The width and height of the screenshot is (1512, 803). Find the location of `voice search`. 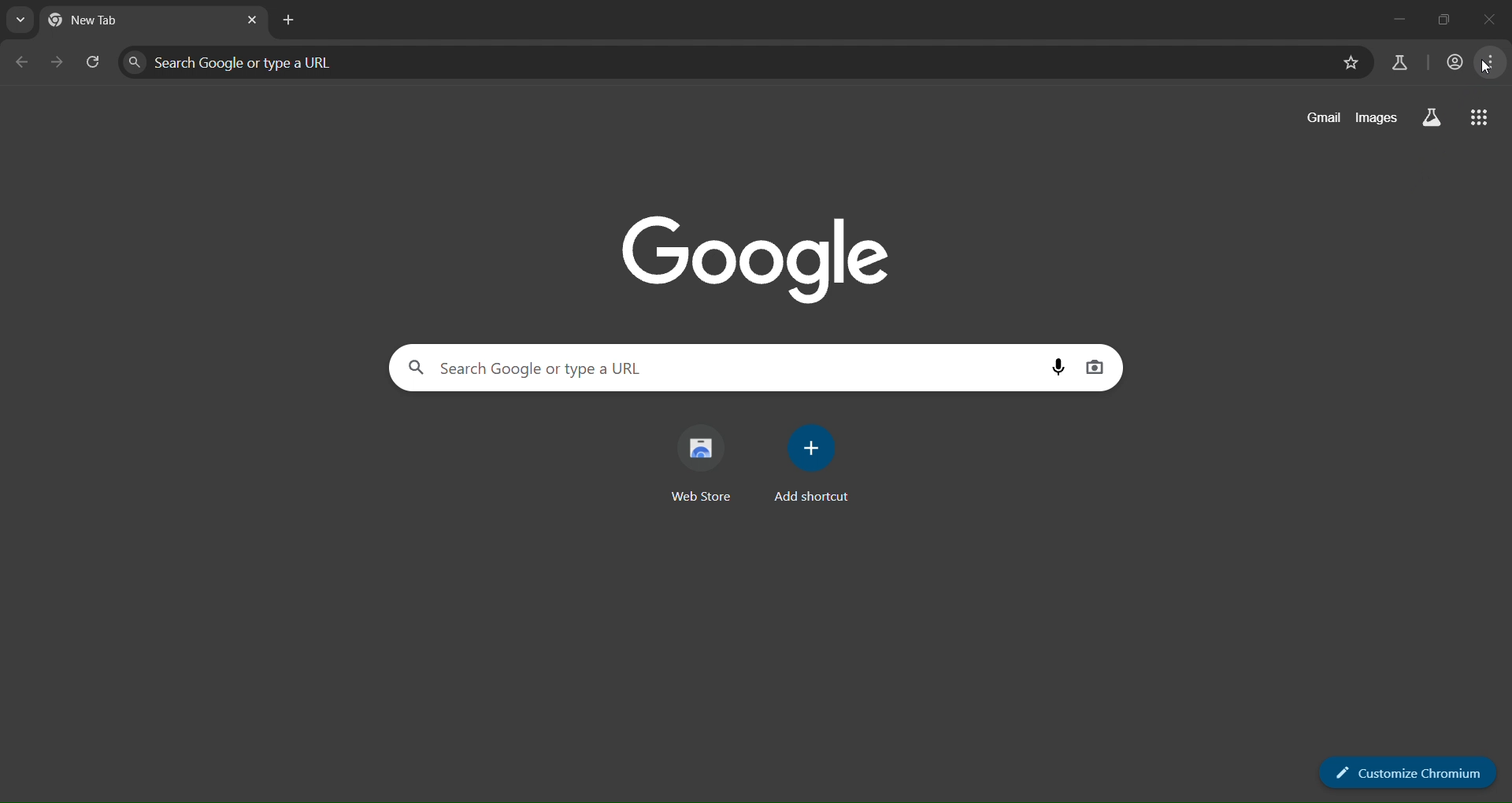

voice search is located at coordinates (1060, 368).